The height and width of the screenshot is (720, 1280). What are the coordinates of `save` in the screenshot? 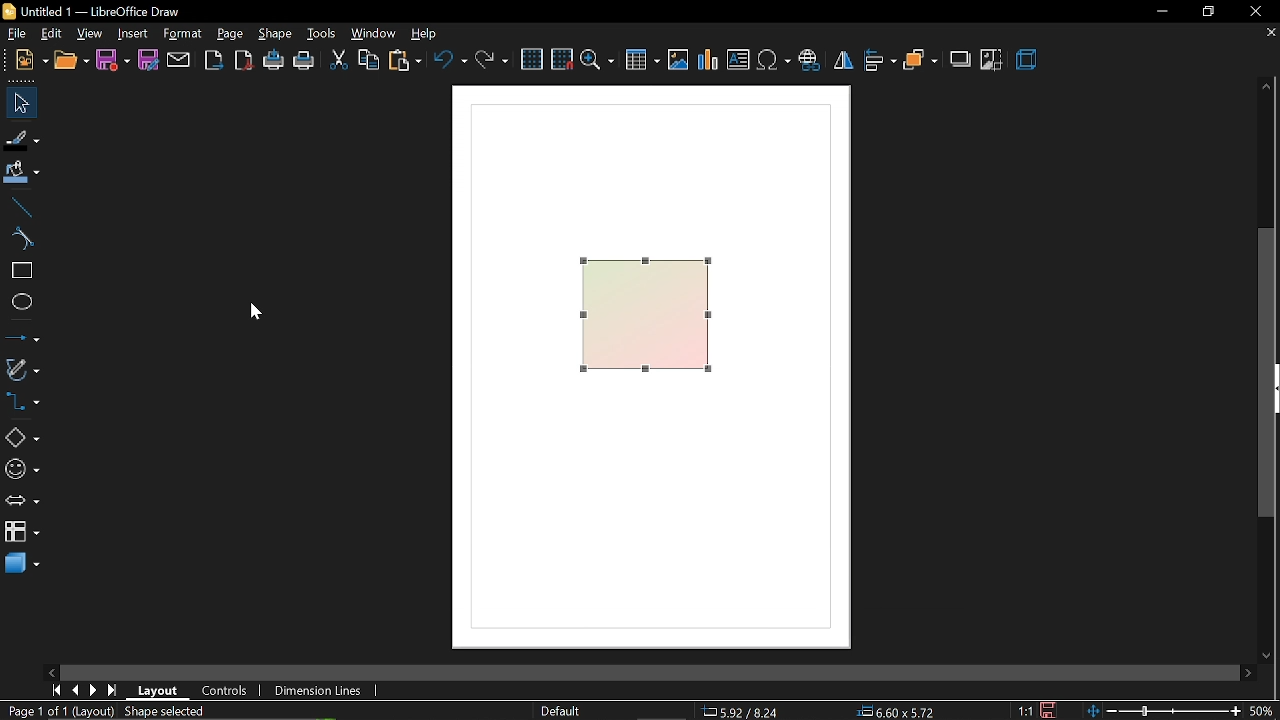 It's located at (112, 61).